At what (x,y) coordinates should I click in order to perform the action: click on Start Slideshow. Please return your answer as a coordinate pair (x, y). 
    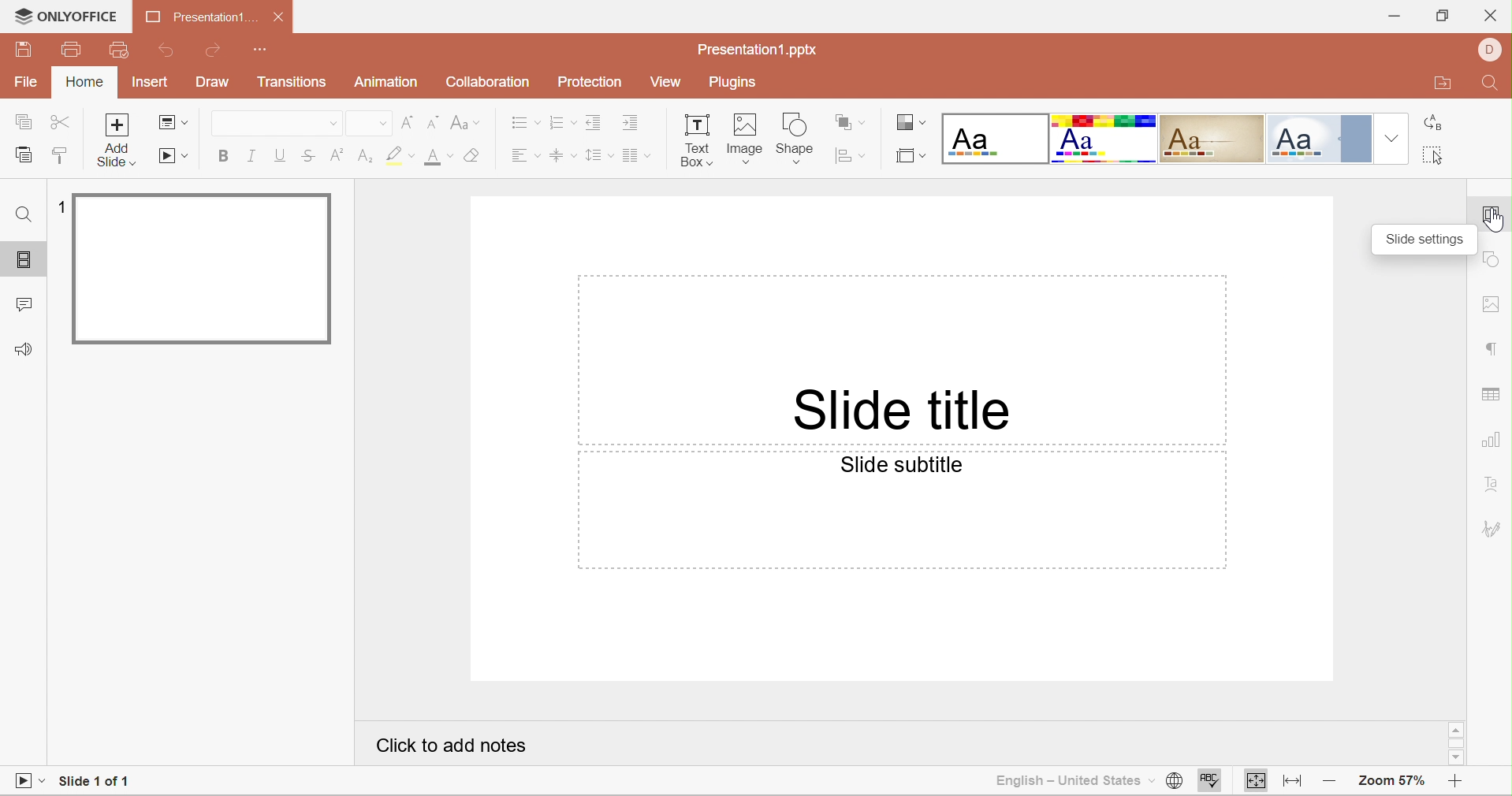
    Looking at the image, I should click on (29, 779).